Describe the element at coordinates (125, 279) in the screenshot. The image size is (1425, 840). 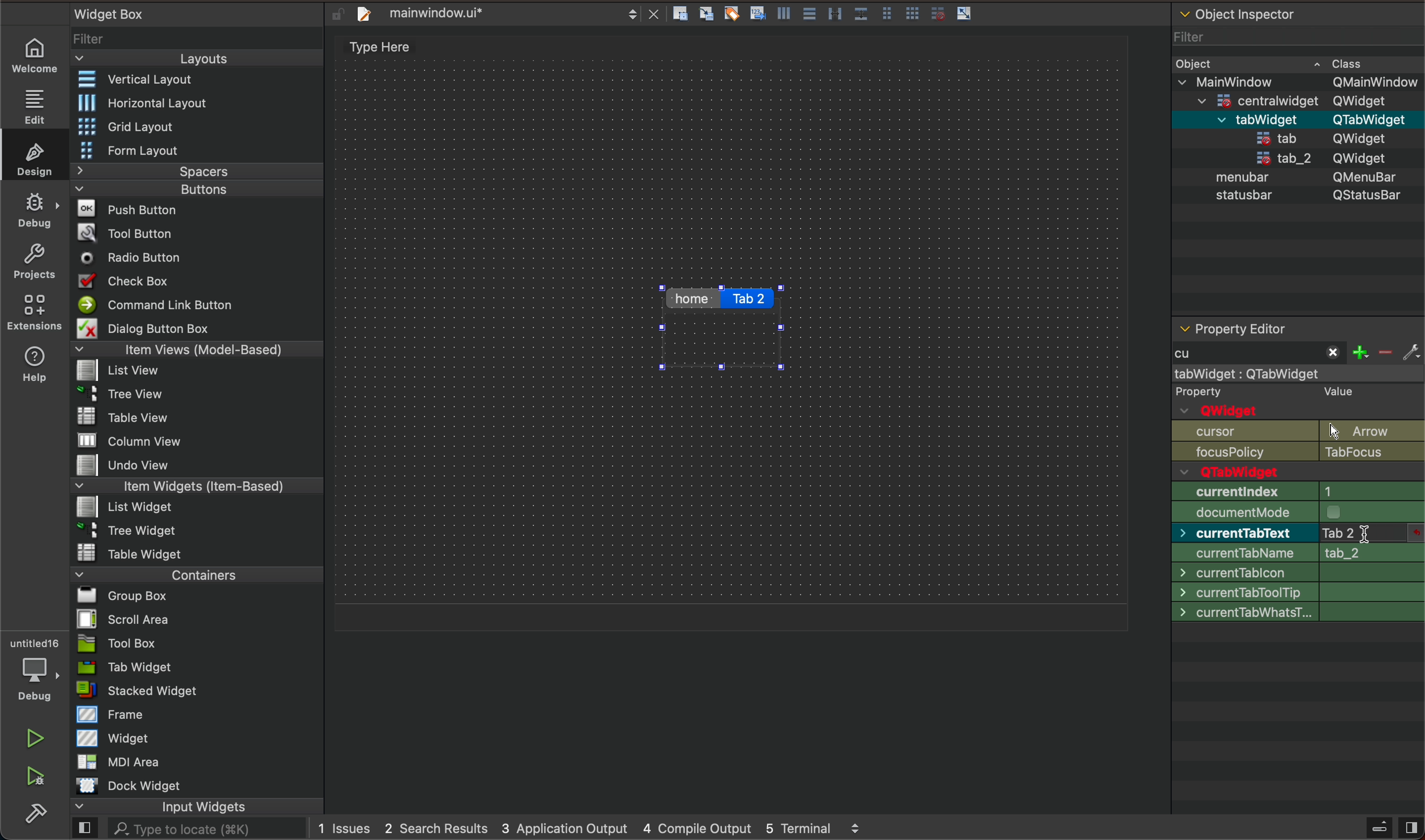
I see `Check Box` at that location.